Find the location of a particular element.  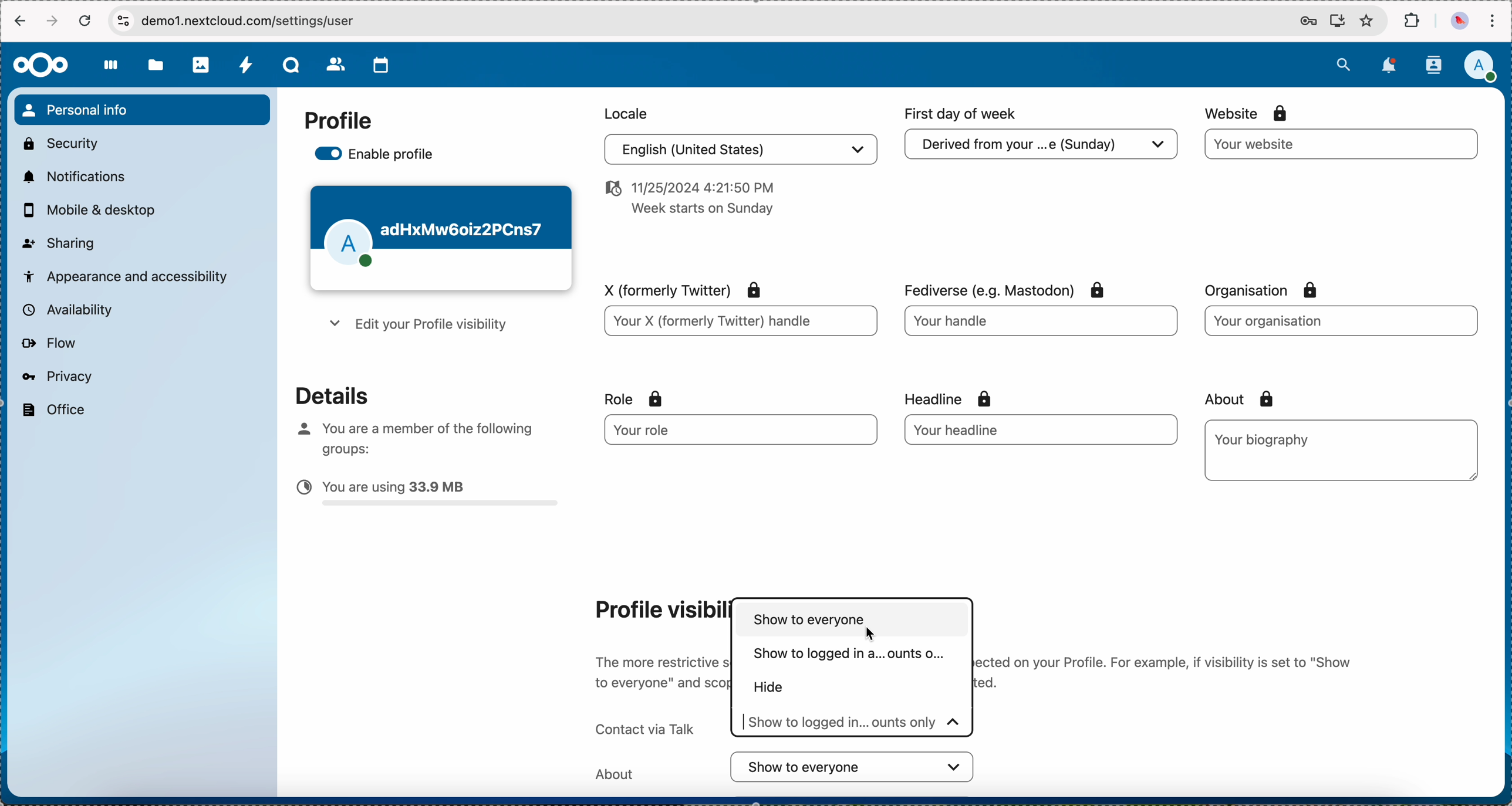

date and hour is located at coordinates (687, 202).